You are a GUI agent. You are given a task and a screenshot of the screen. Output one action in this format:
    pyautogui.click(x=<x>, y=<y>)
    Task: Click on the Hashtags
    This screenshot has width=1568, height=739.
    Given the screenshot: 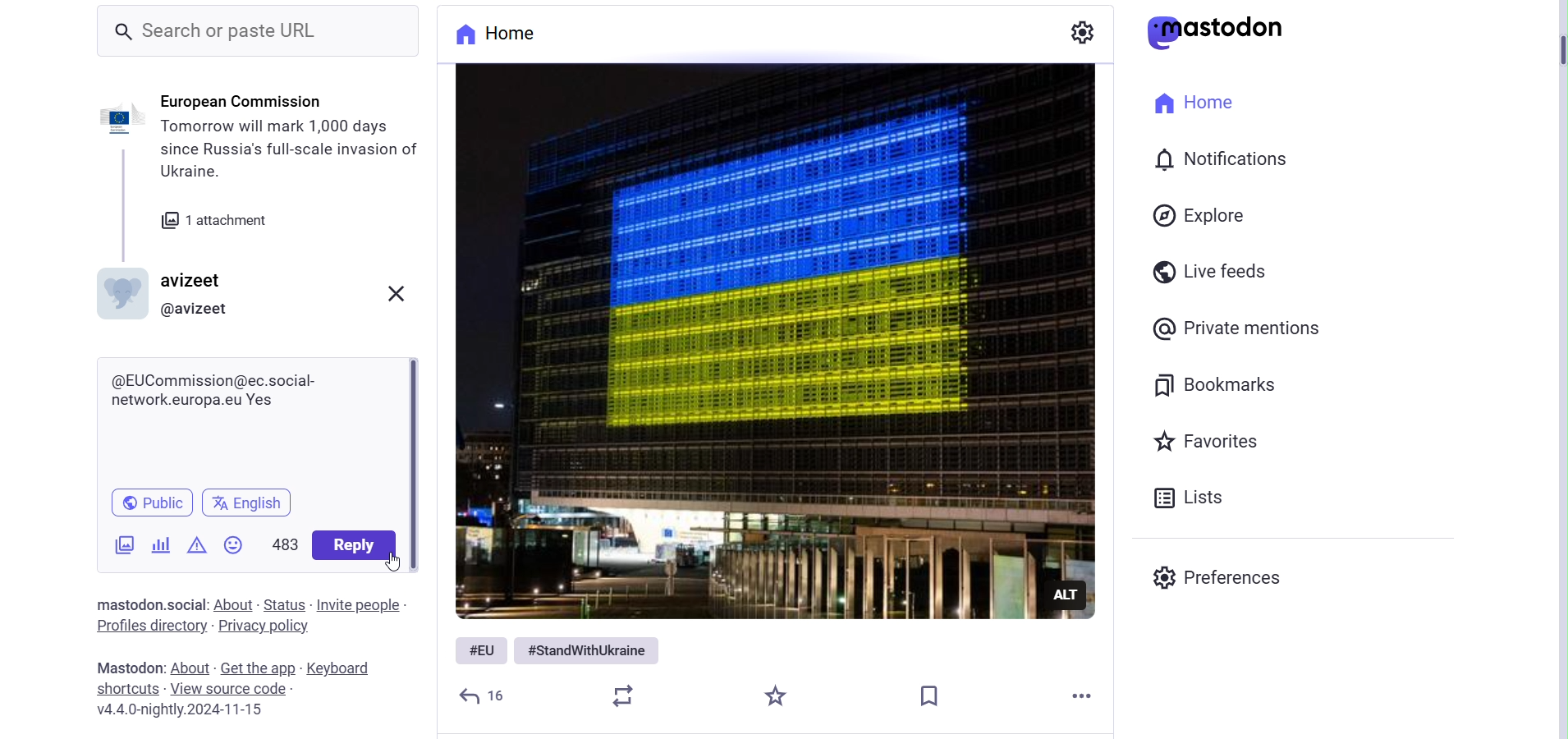 What is the action you would take?
    pyautogui.click(x=559, y=649)
    